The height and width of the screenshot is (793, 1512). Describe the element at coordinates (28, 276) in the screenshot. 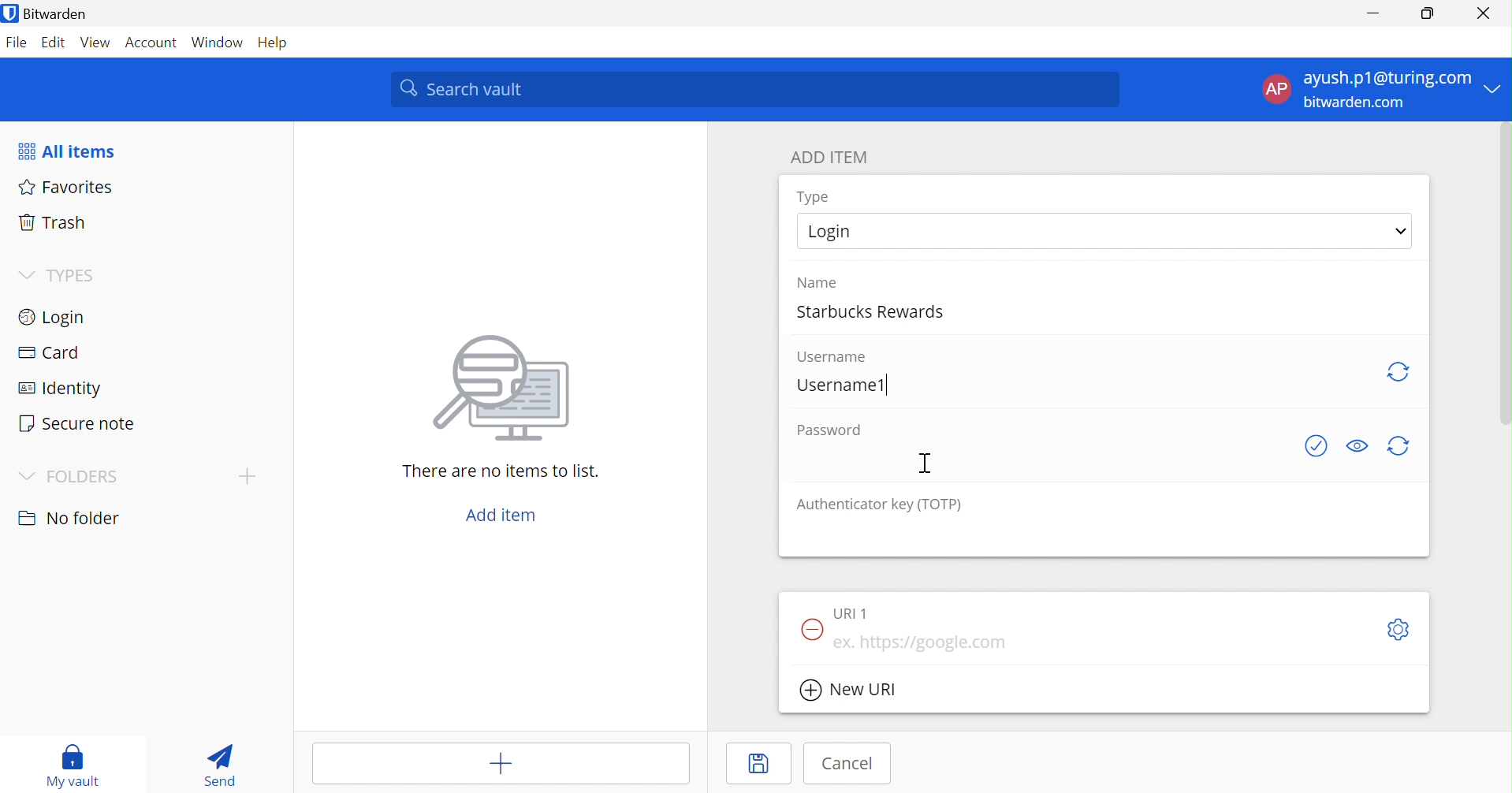

I see `Drop Down` at that location.